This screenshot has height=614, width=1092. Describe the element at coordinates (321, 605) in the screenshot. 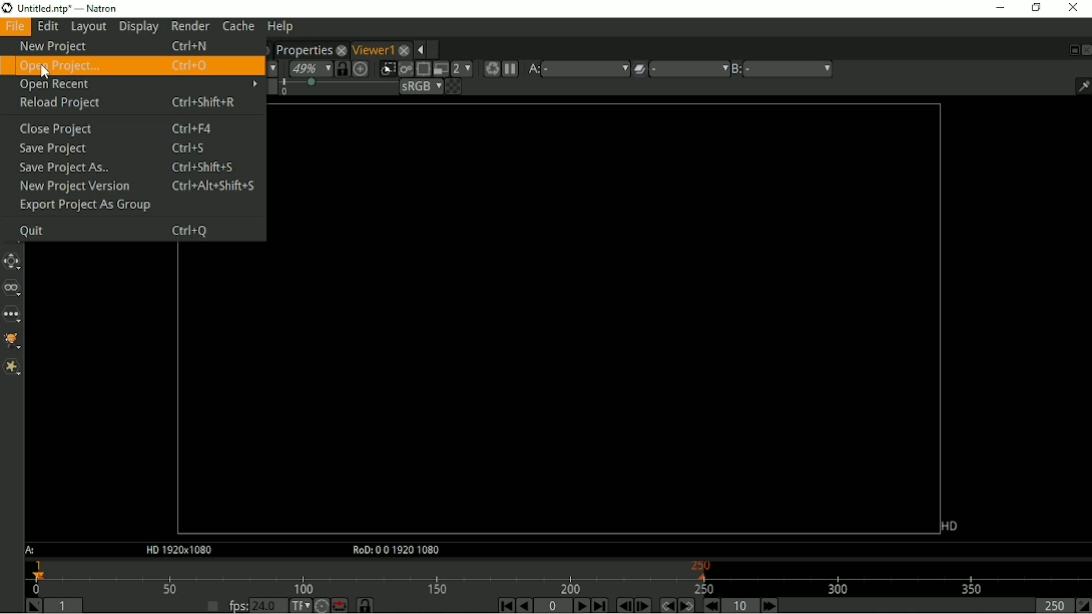

I see `Turbo mode` at that location.